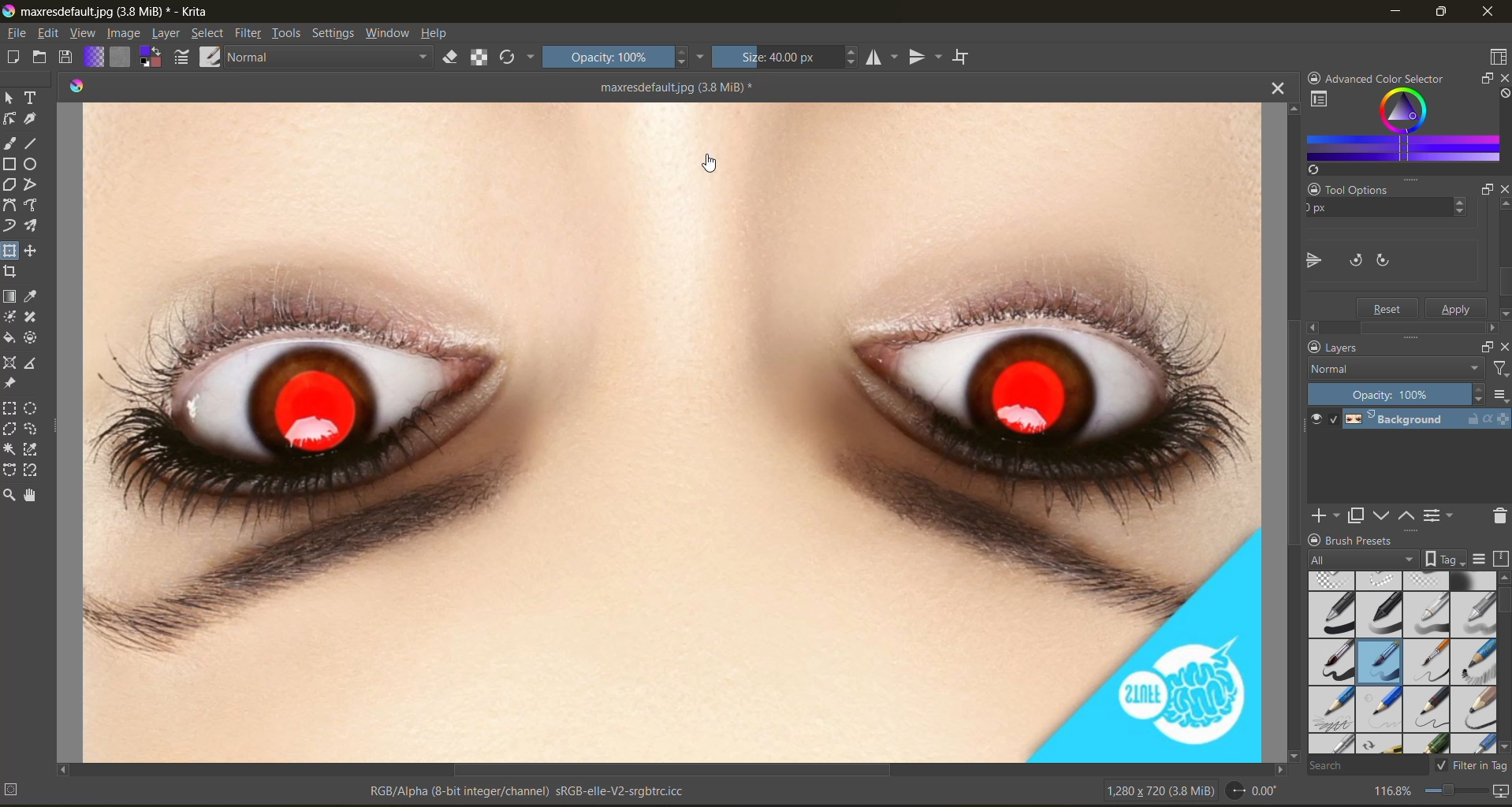 The width and height of the screenshot is (1512, 807). What do you see at coordinates (1372, 188) in the screenshot?
I see `Tool options` at bounding box center [1372, 188].